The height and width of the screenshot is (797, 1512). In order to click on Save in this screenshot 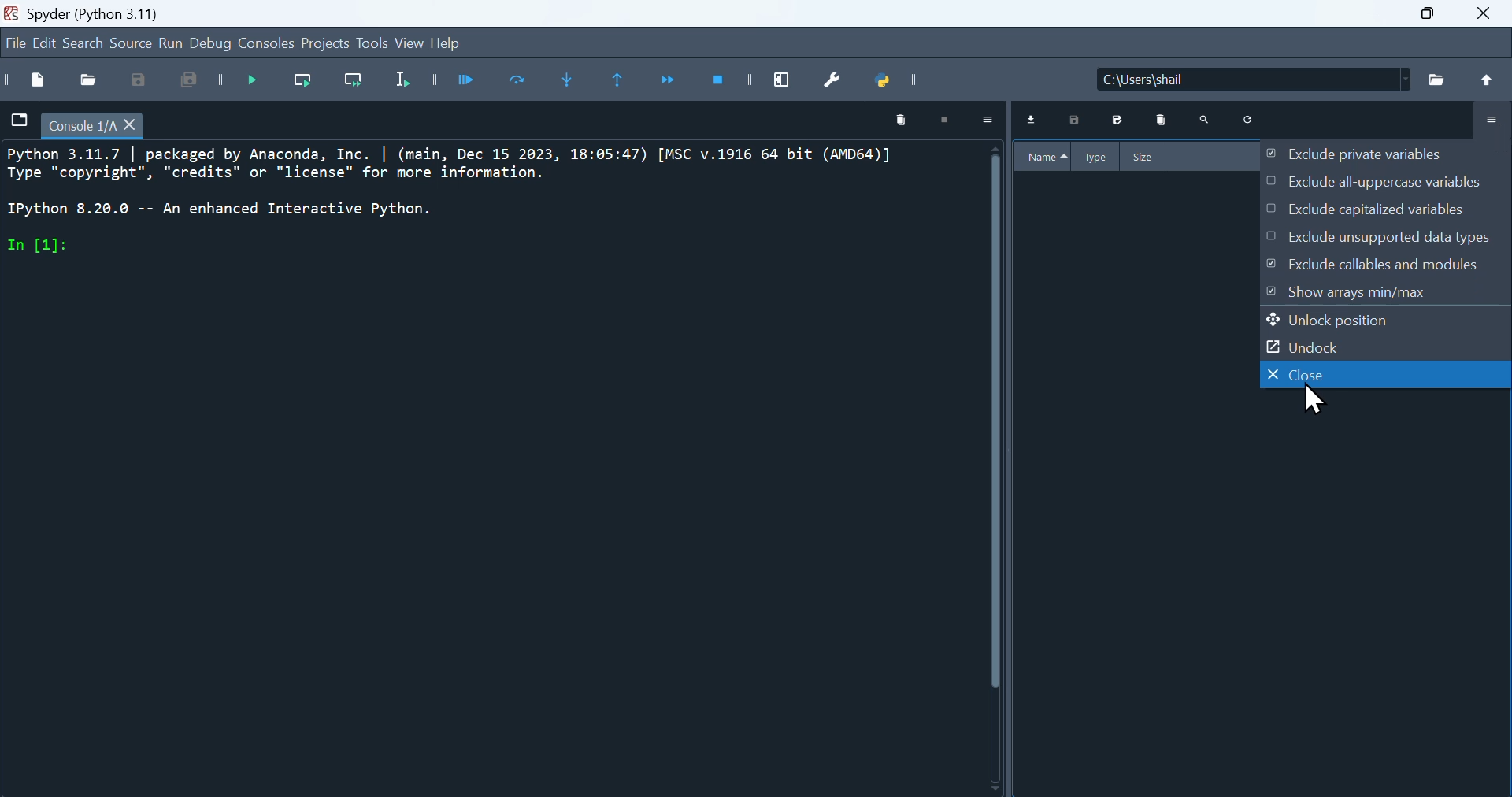, I will do `click(1071, 121)`.